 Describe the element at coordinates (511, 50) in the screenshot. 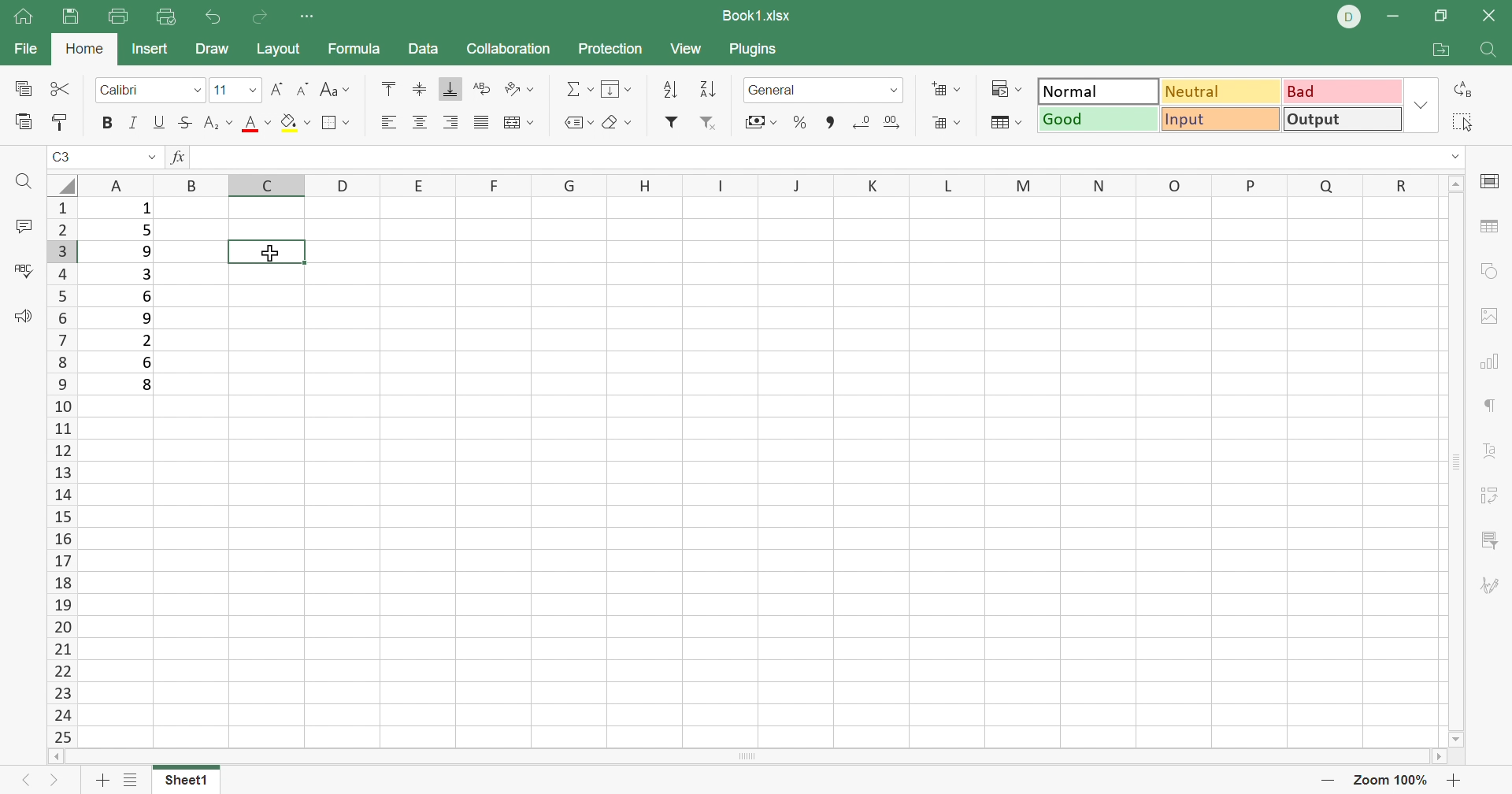

I see `Collaboration` at that location.